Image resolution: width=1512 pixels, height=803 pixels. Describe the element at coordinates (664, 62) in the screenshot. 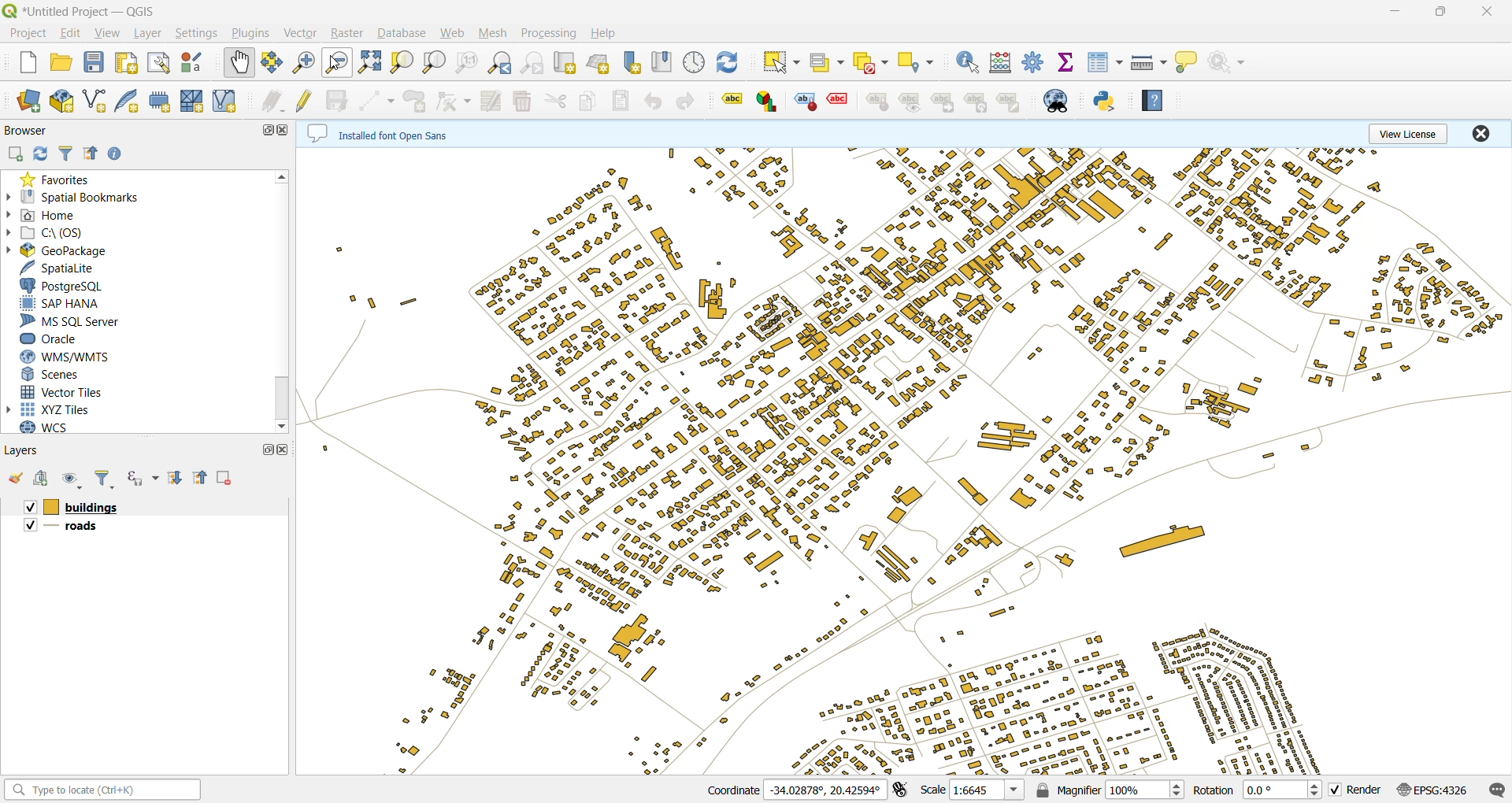

I see `show spatial bookmark` at that location.